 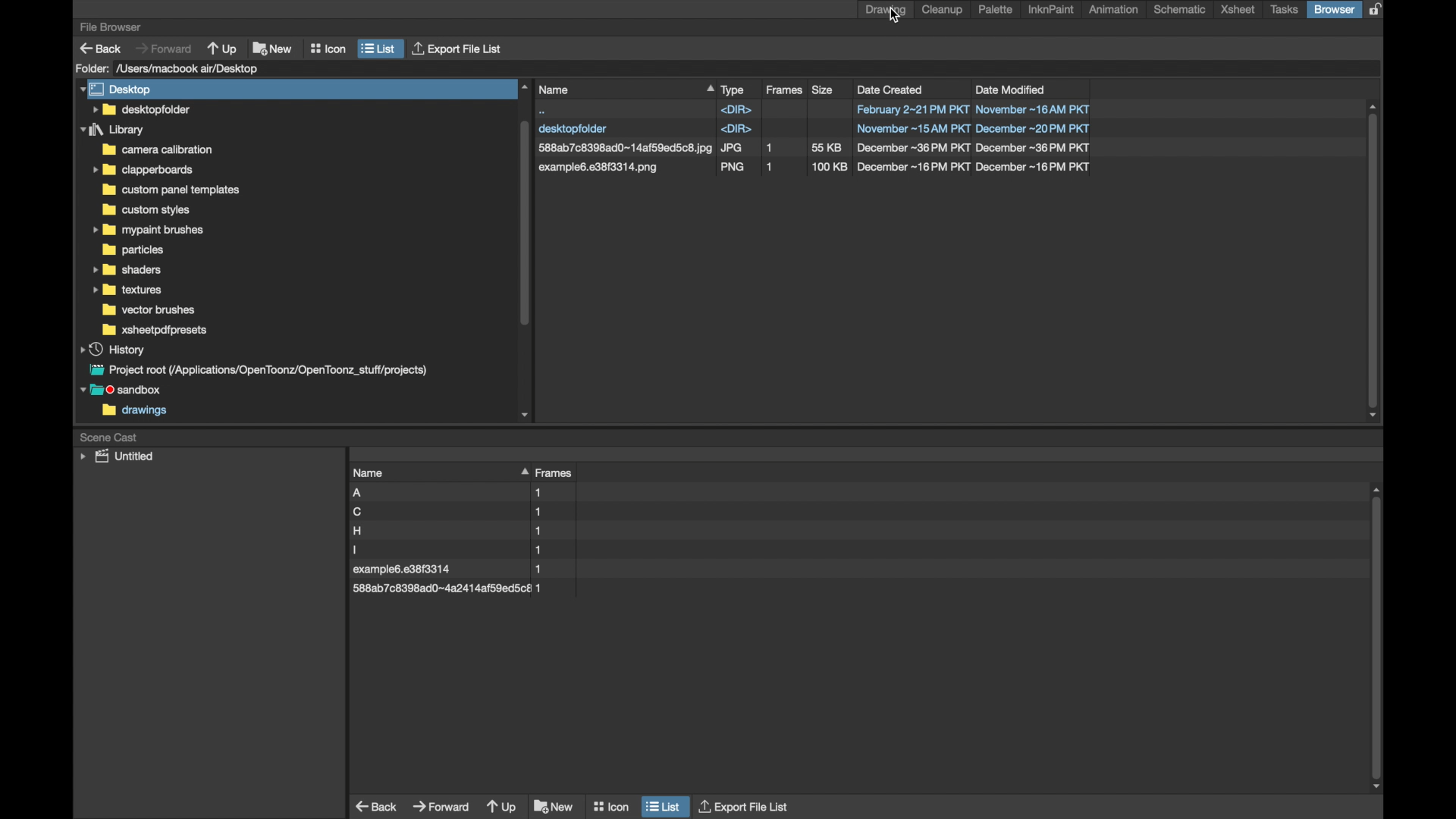 What do you see at coordinates (447, 588) in the screenshot?
I see `file` at bounding box center [447, 588].